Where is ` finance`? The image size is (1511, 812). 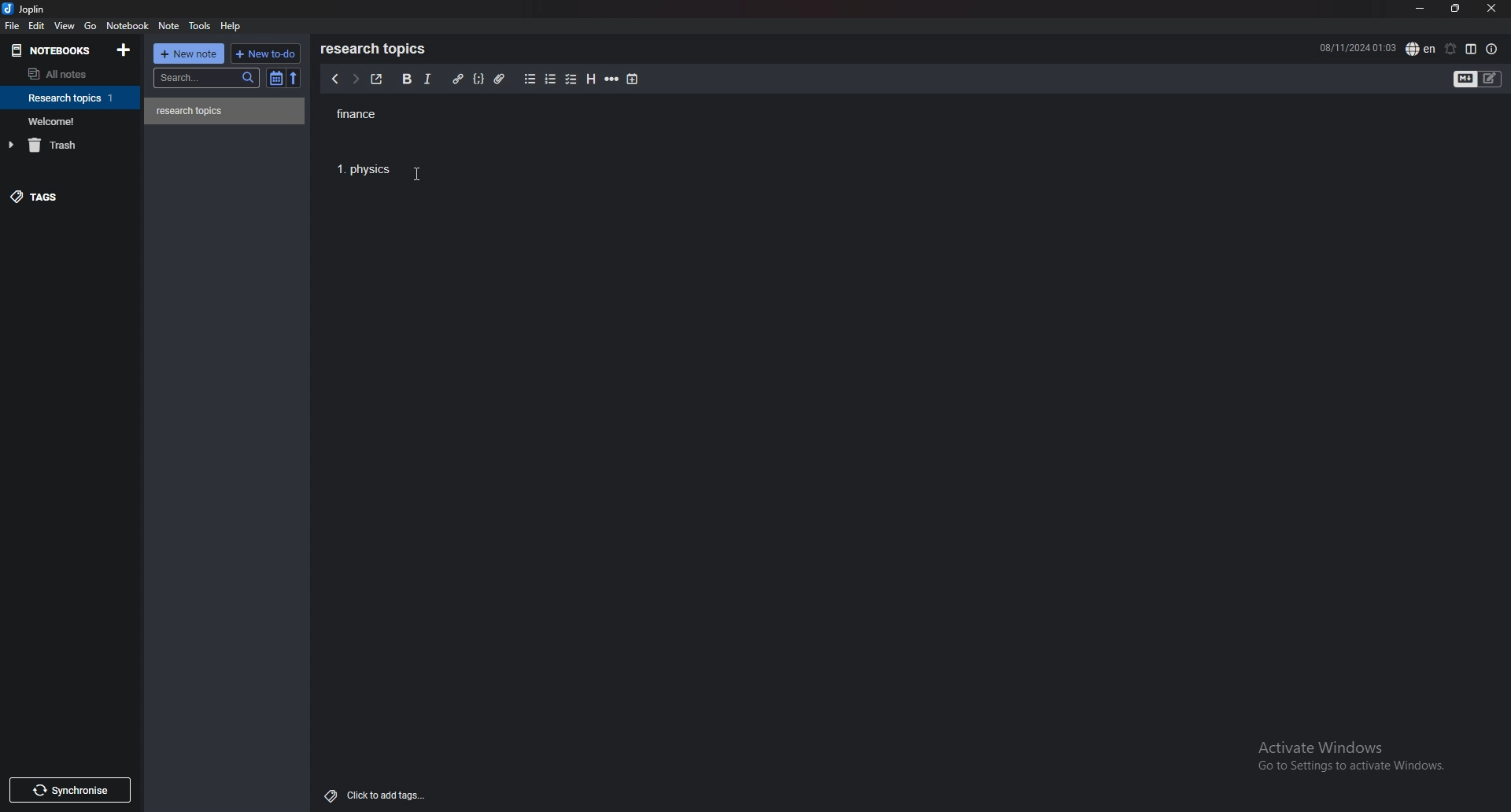  finance is located at coordinates (375, 113).